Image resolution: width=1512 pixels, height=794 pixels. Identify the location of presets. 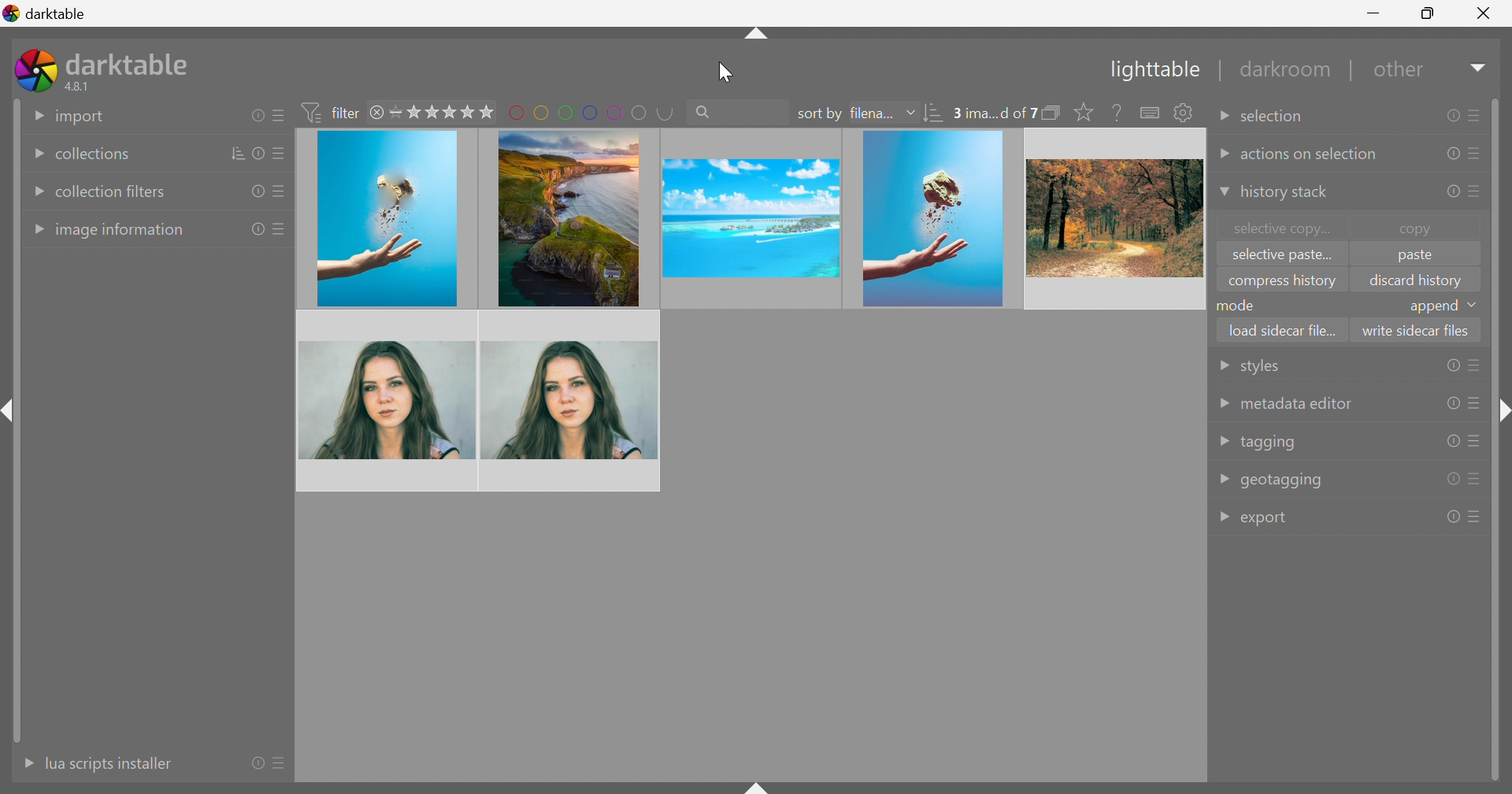
(276, 194).